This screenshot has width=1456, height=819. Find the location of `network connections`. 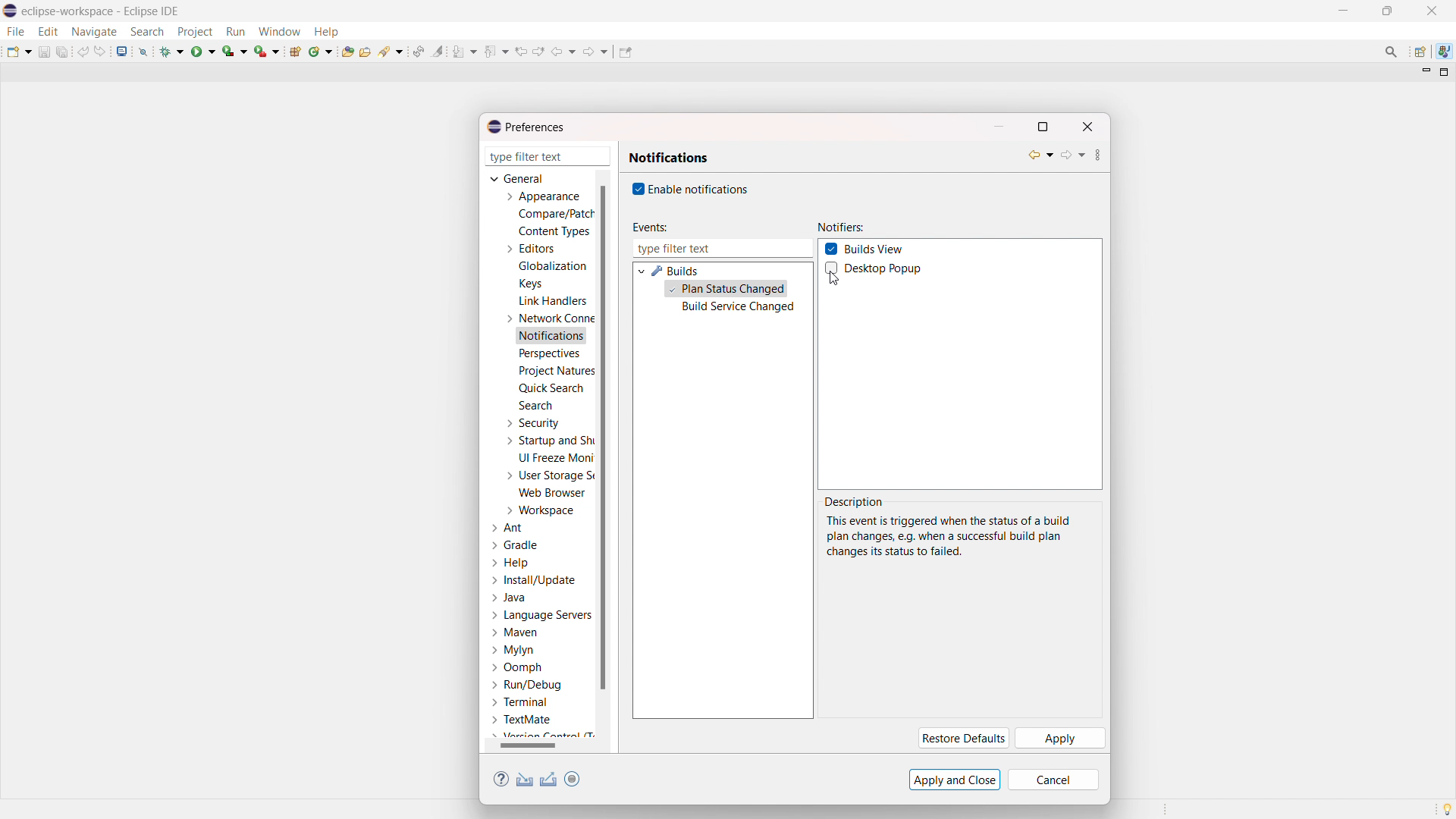

network connections is located at coordinates (548, 318).